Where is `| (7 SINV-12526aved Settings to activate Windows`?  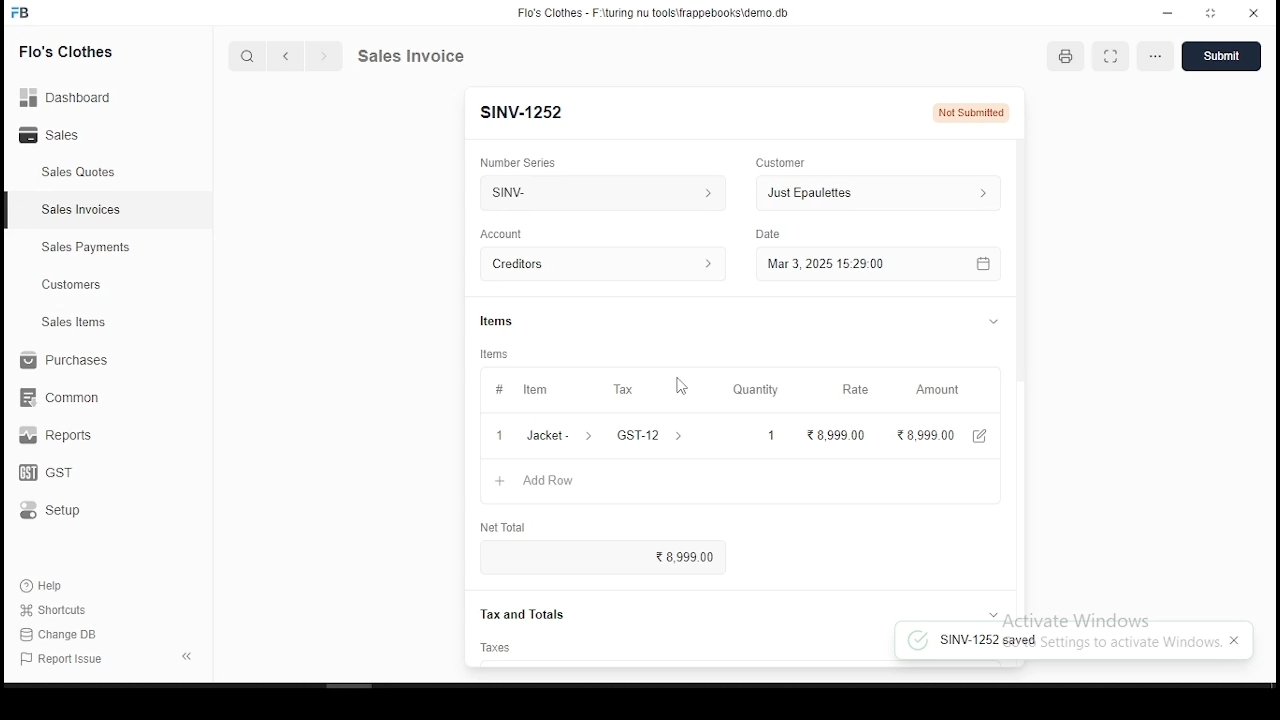
| (7 SINV-12526aved Settings to activate Windows is located at coordinates (1079, 641).